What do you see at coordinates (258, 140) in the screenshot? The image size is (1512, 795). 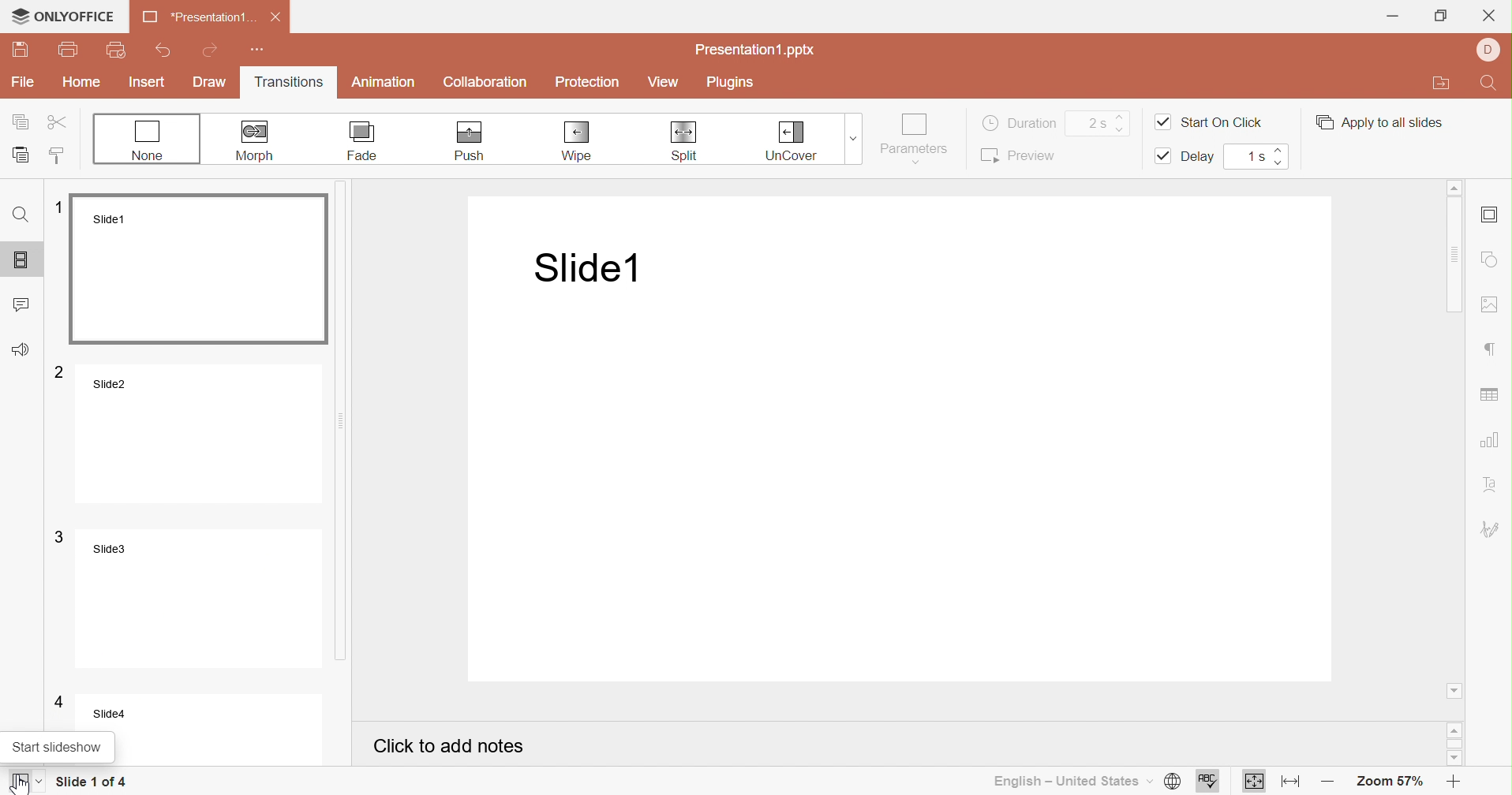 I see `Morph` at bounding box center [258, 140].